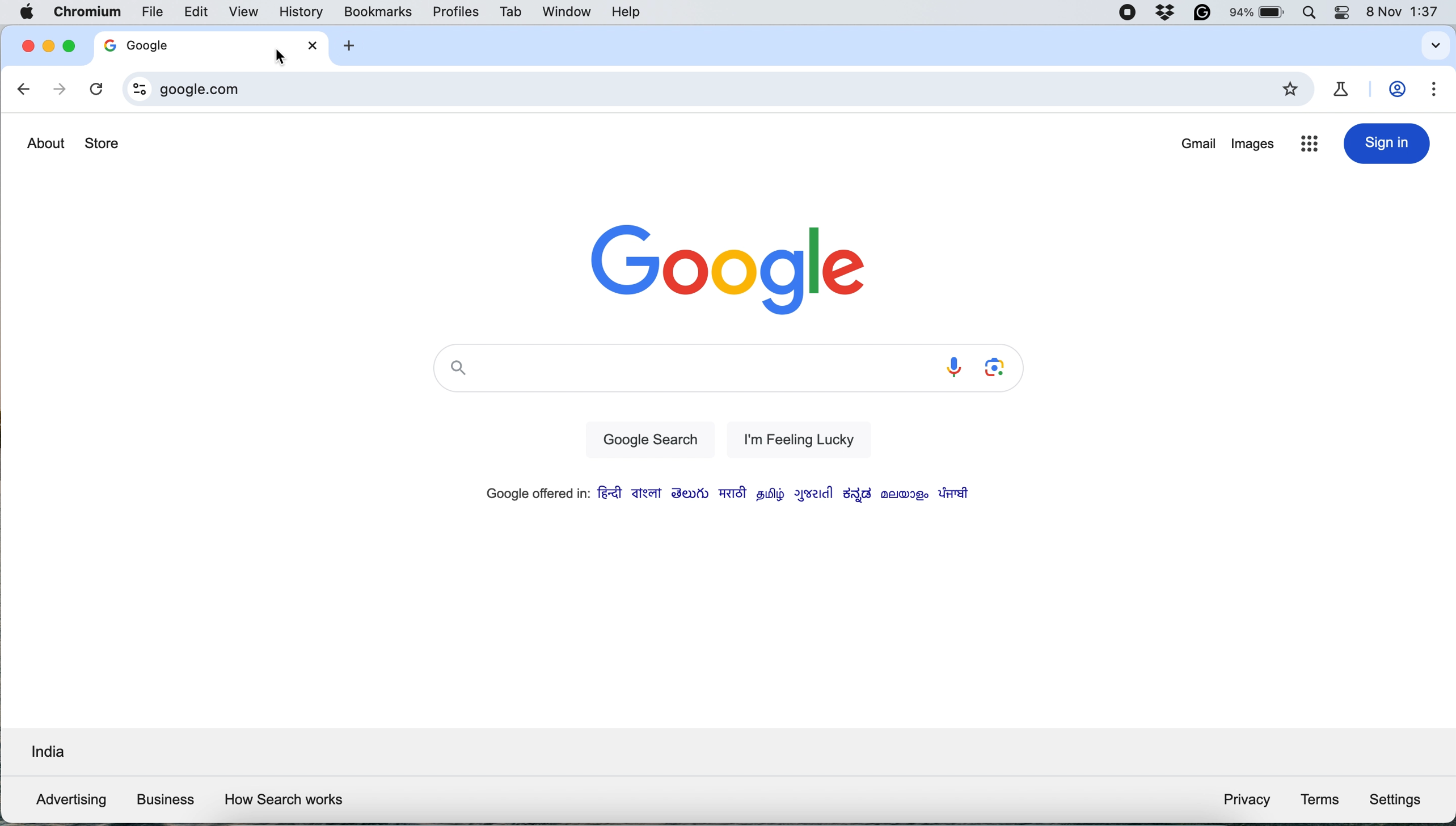  I want to click on google, so click(164, 44).